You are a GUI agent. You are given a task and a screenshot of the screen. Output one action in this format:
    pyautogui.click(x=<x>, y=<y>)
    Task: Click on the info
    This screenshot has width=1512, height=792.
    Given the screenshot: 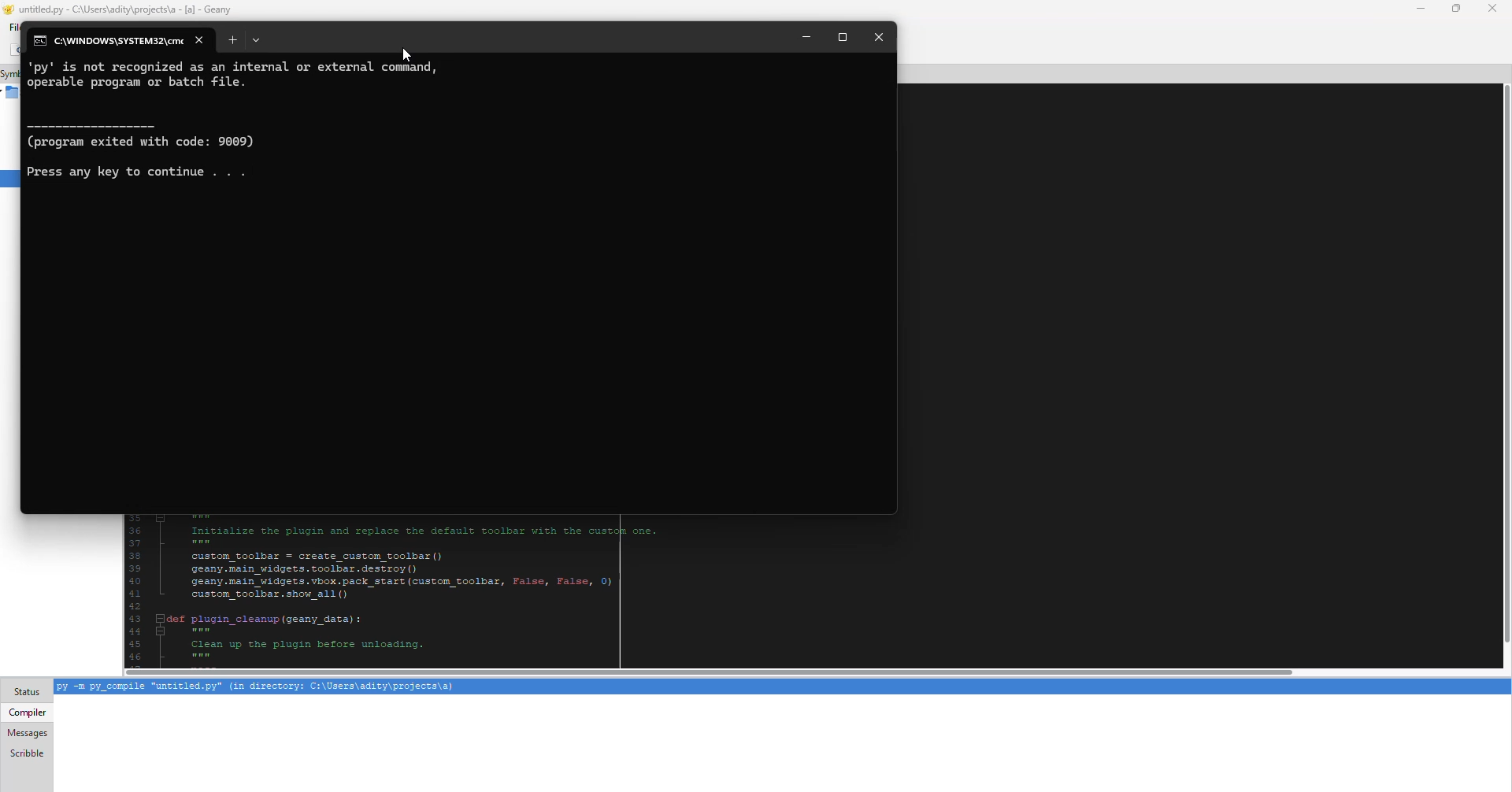 What is the action you would take?
    pyautogui.click(x=264, y=687)
    